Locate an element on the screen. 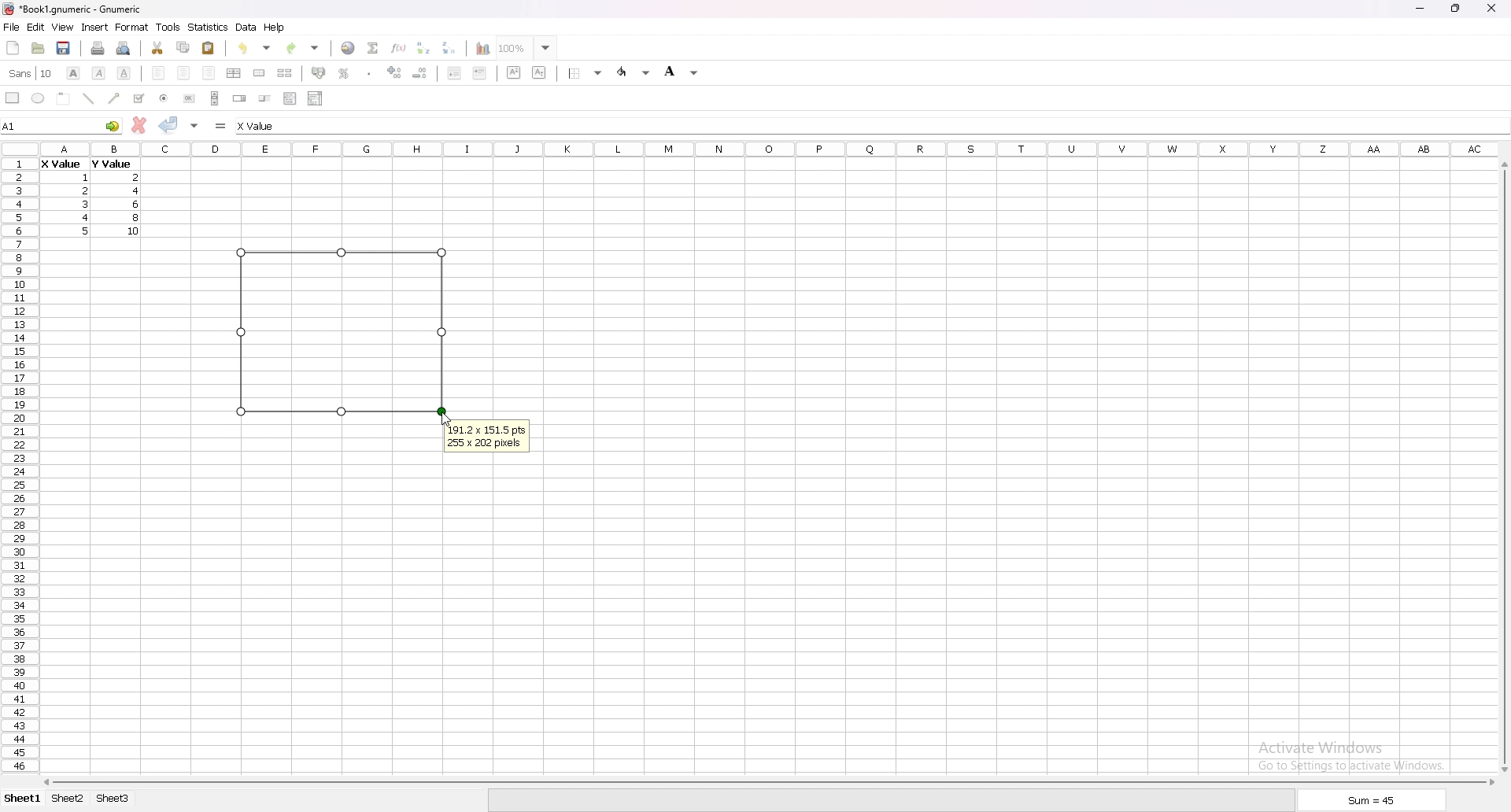 This screenshot has width=1511, height=812. hyperlink is located at coordinates (348, 48).